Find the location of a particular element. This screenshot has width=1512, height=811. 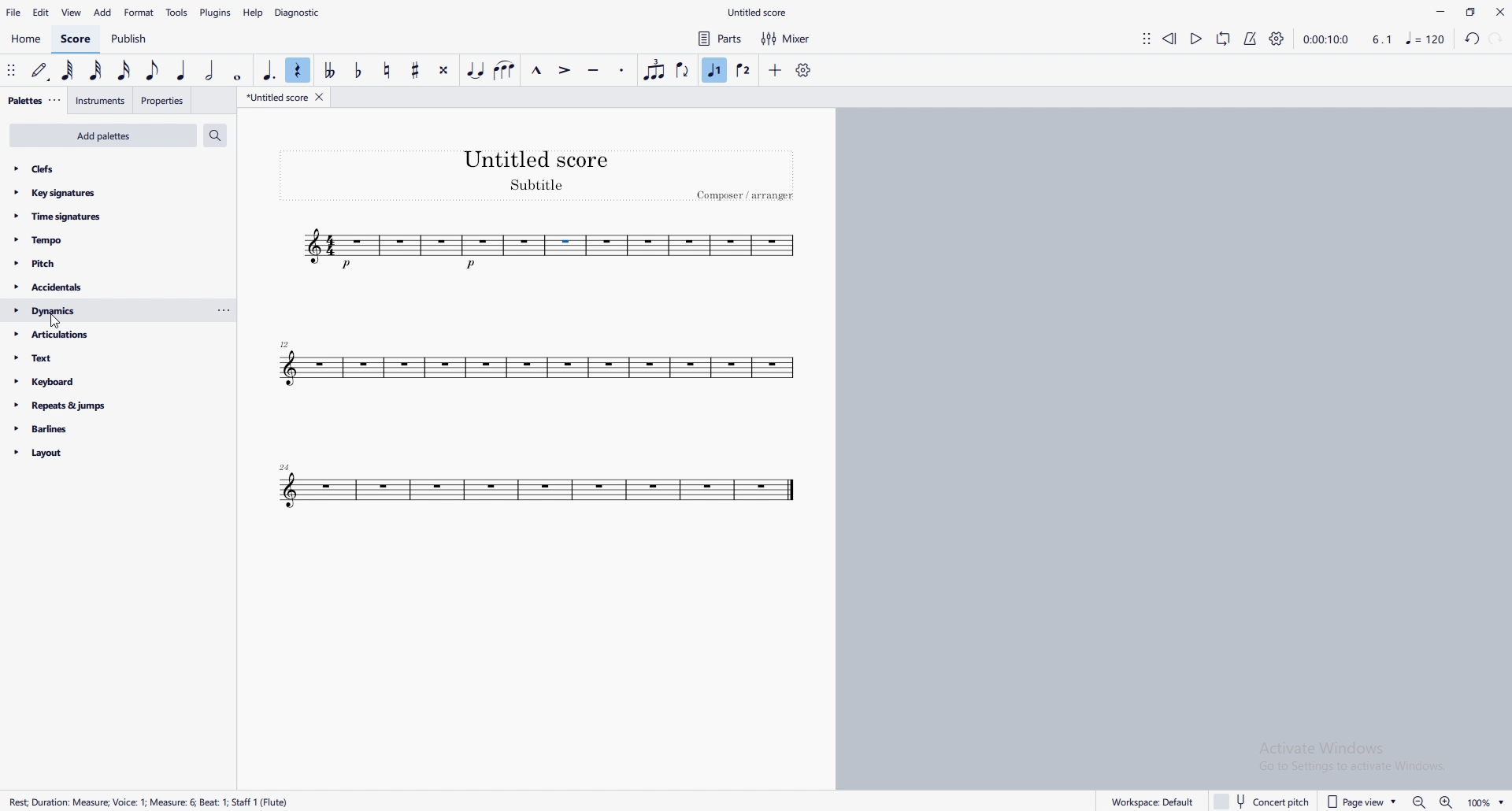

instruments is located at coordinates (102, 101).